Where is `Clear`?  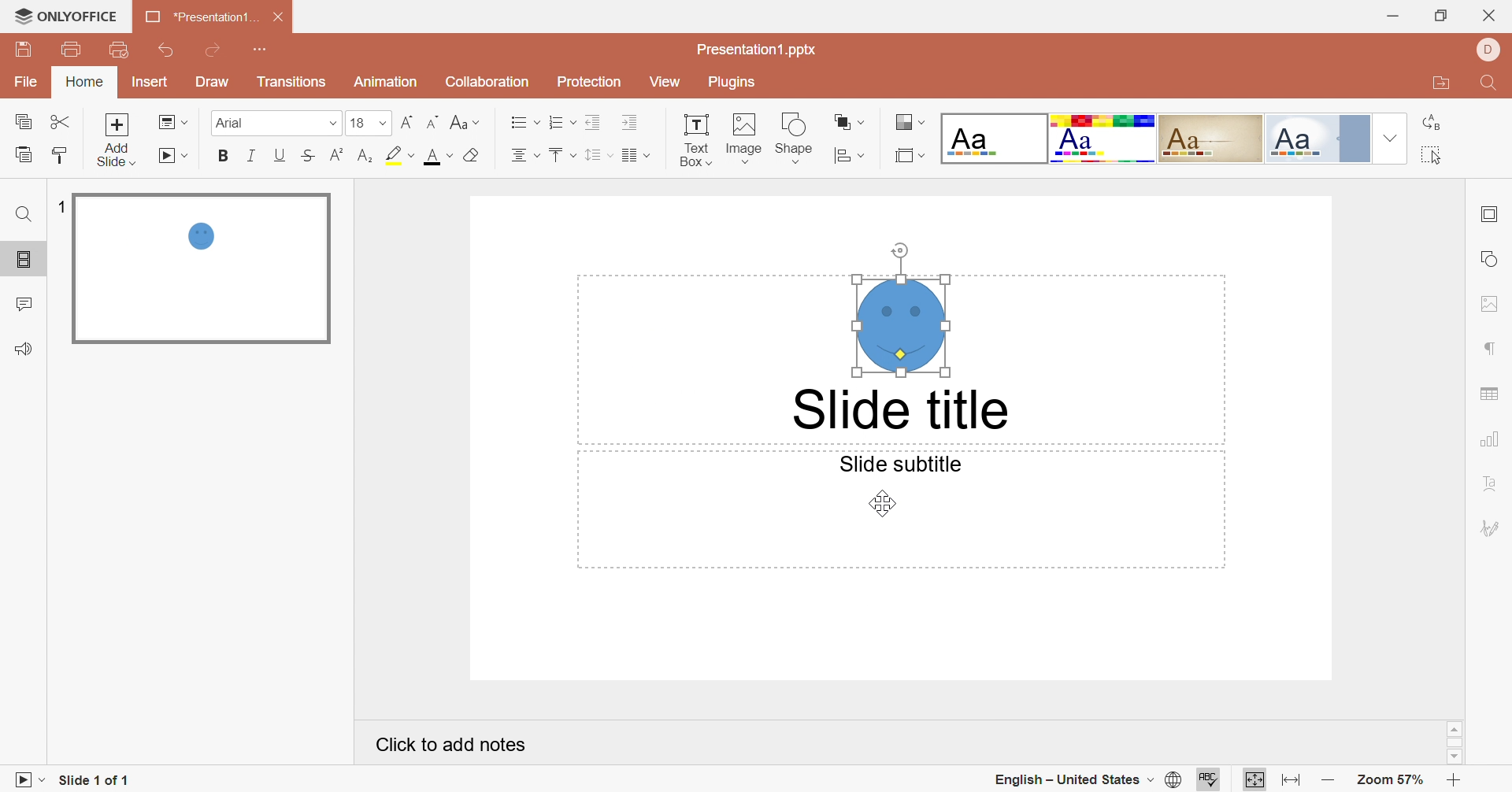
Clear is located at coordinates (471, 157).